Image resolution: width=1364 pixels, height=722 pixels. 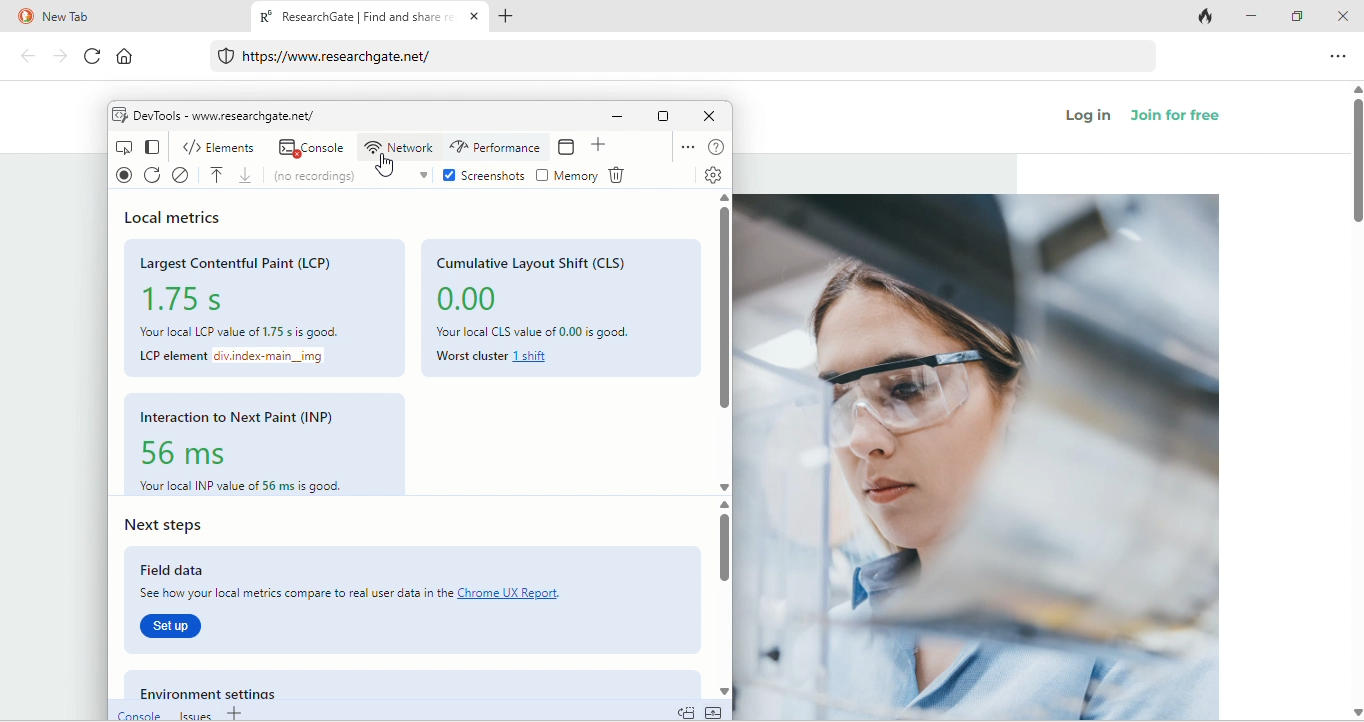 What do you see at coordinates (714, 711) in the screenshot?
I see `expand` at bounding box center [714, 711].